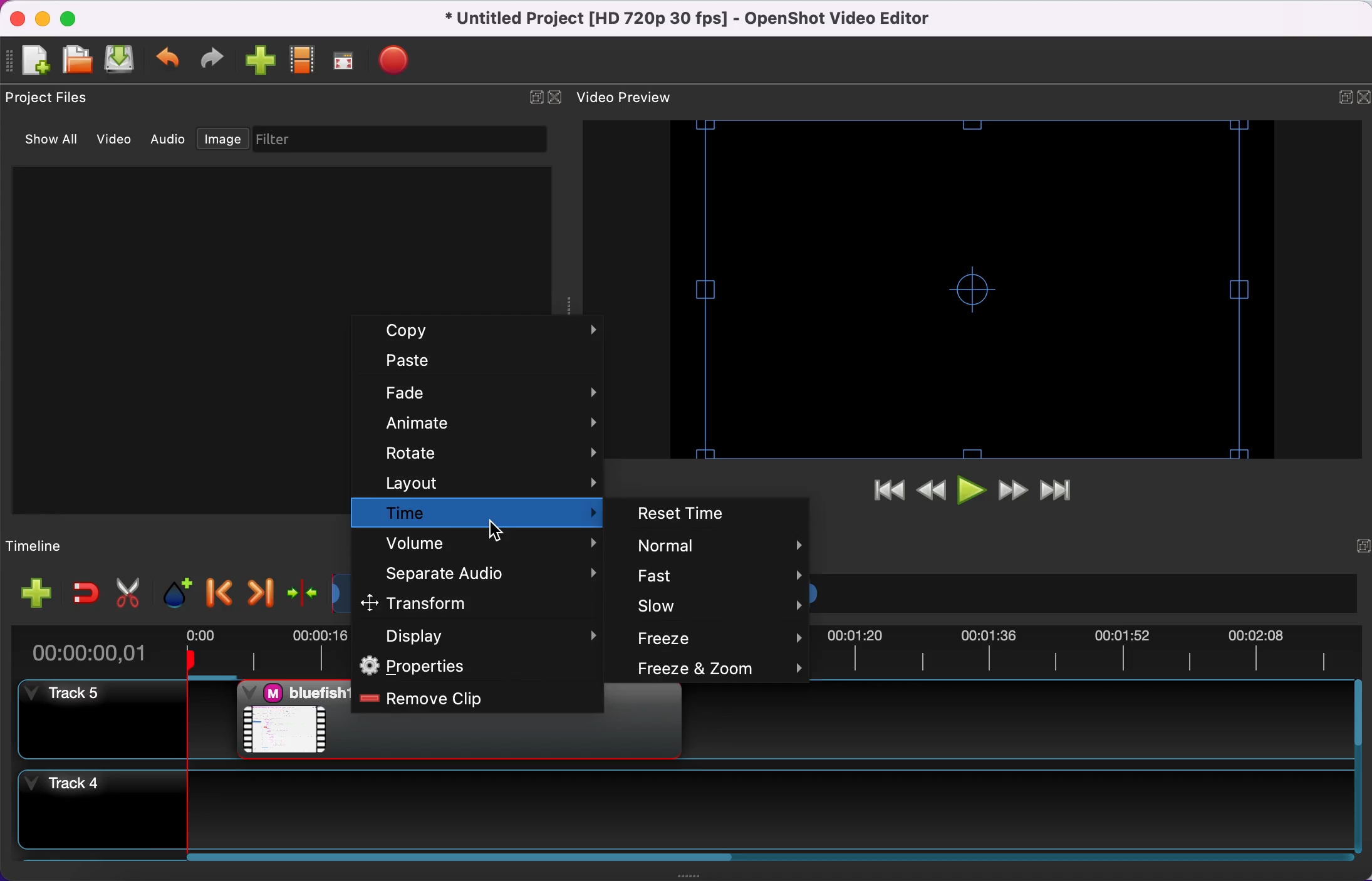 The image size is (1372, 881). Describe the element at coordinates (103, 719) in the screenshot. I see `track 5` at that location.